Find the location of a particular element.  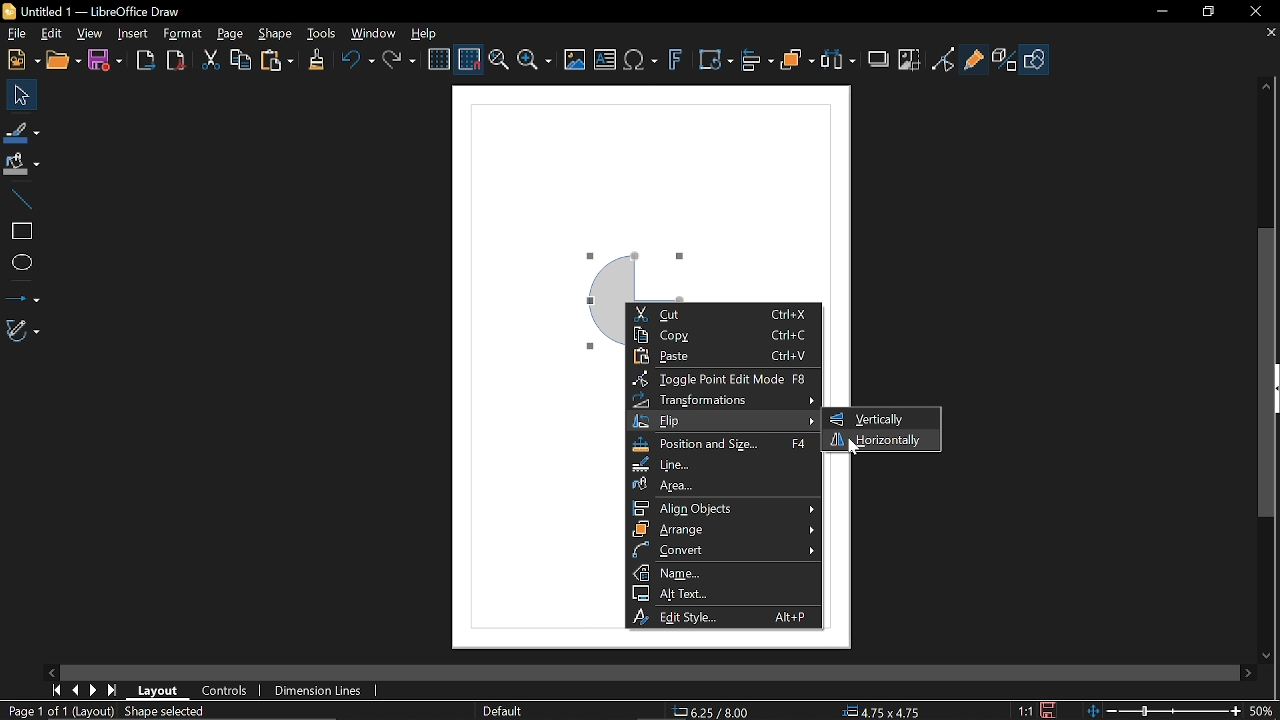

Previous page is located at coordinates (75, 689).